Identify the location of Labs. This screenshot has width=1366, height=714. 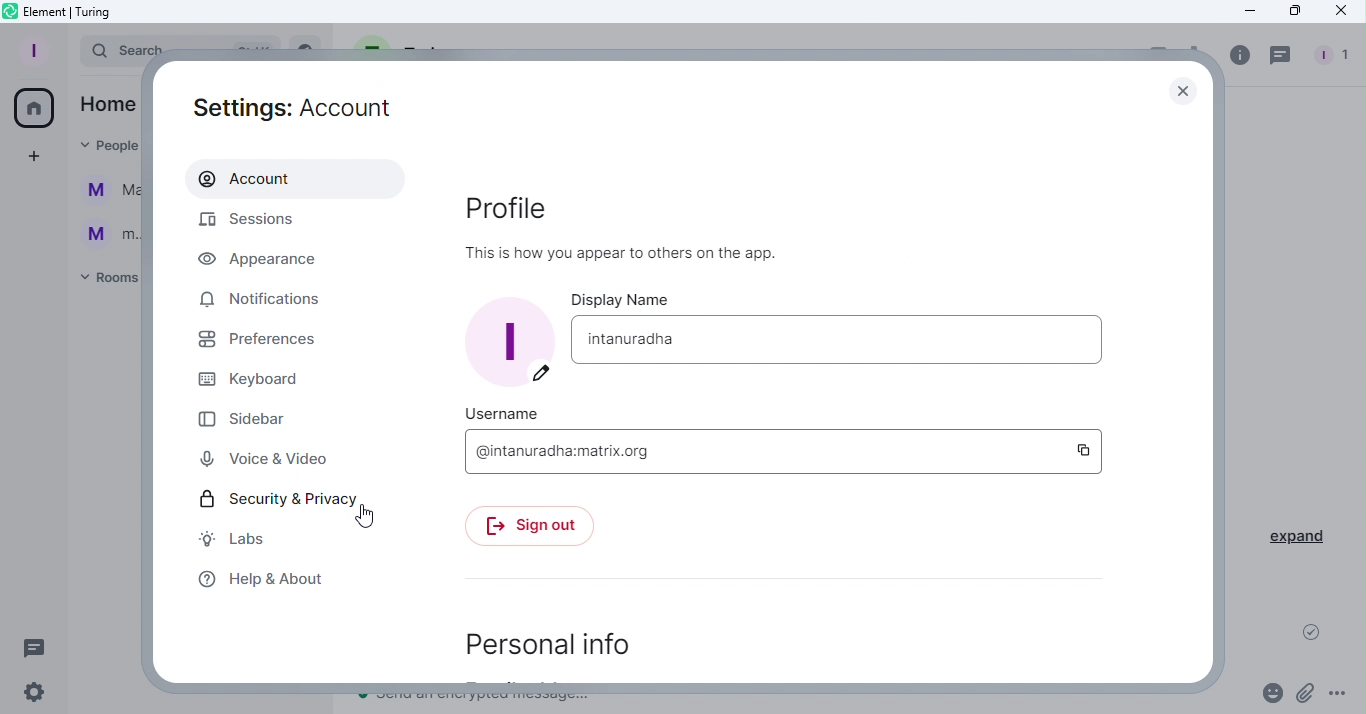
(233, 539).